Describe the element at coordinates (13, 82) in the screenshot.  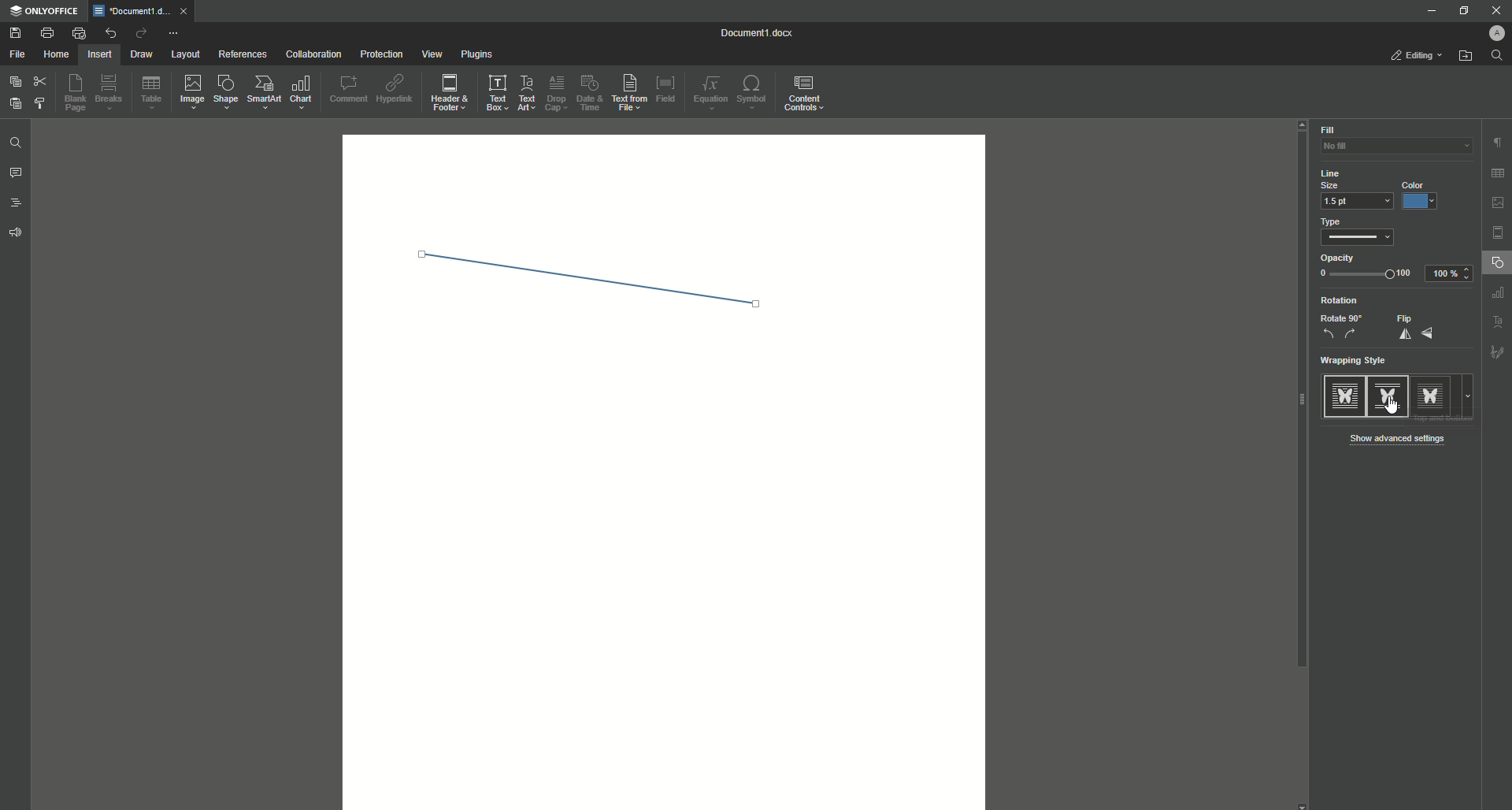
I see `Copy` at that location.